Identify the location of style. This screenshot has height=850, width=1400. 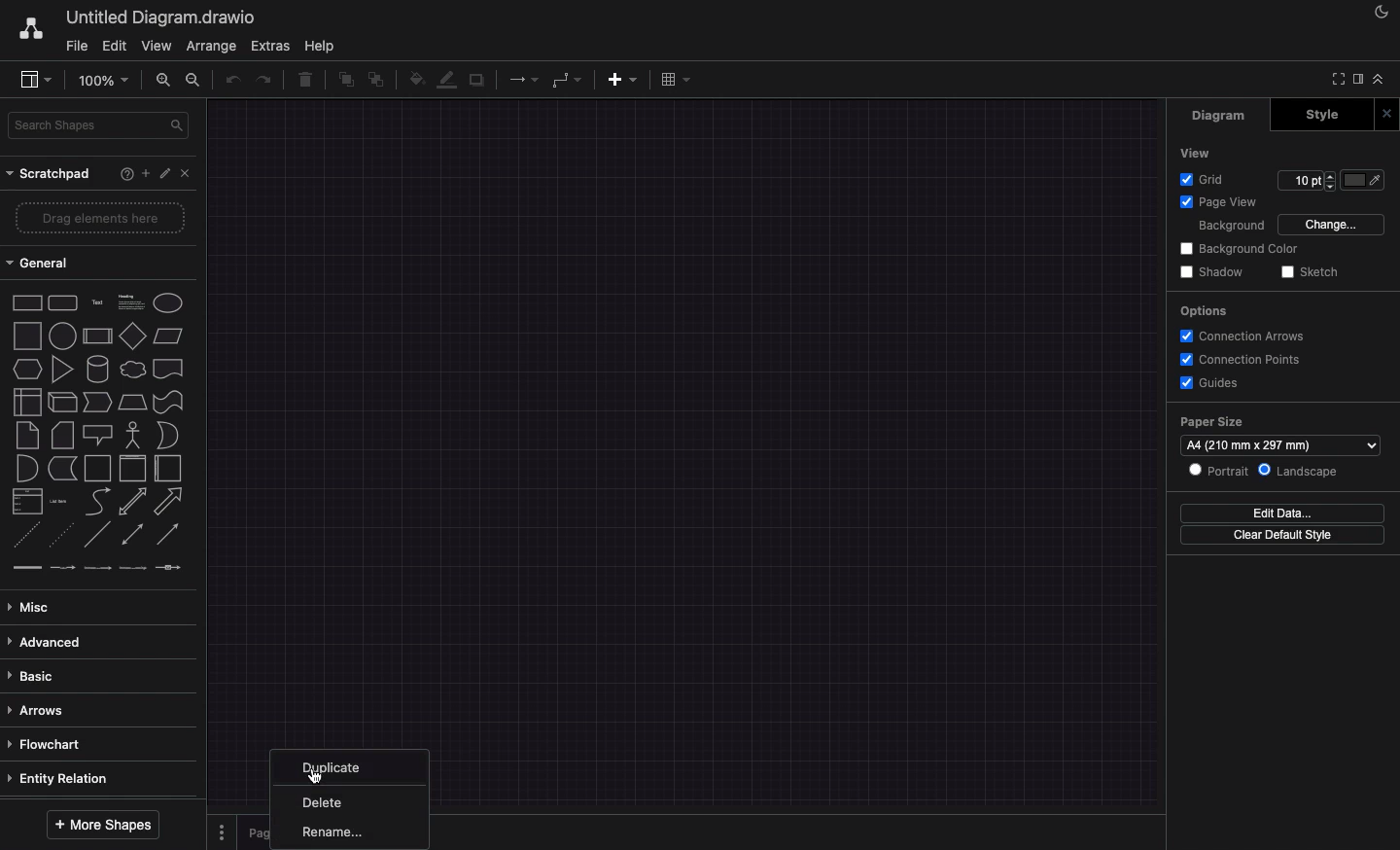
(1325, 115).